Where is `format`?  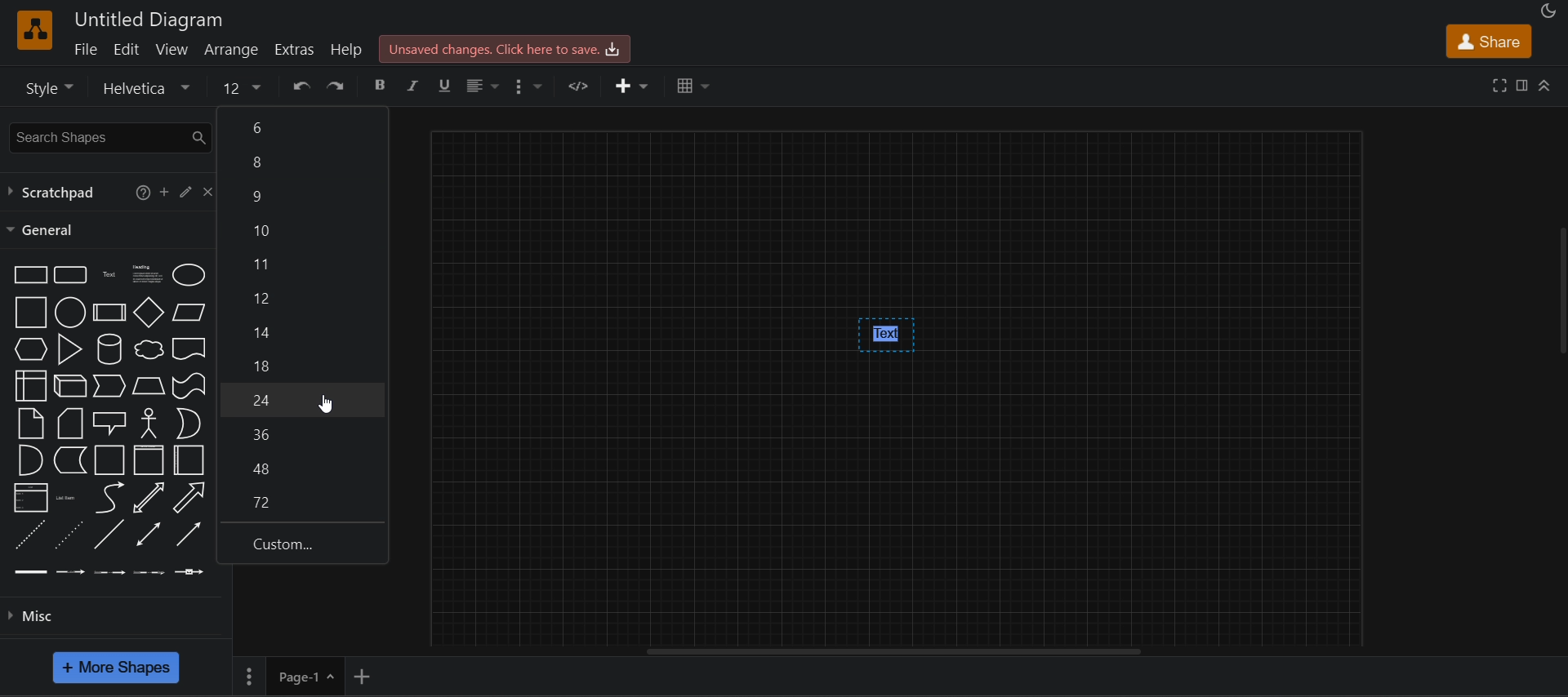
format is located at coordinates (534, 87).